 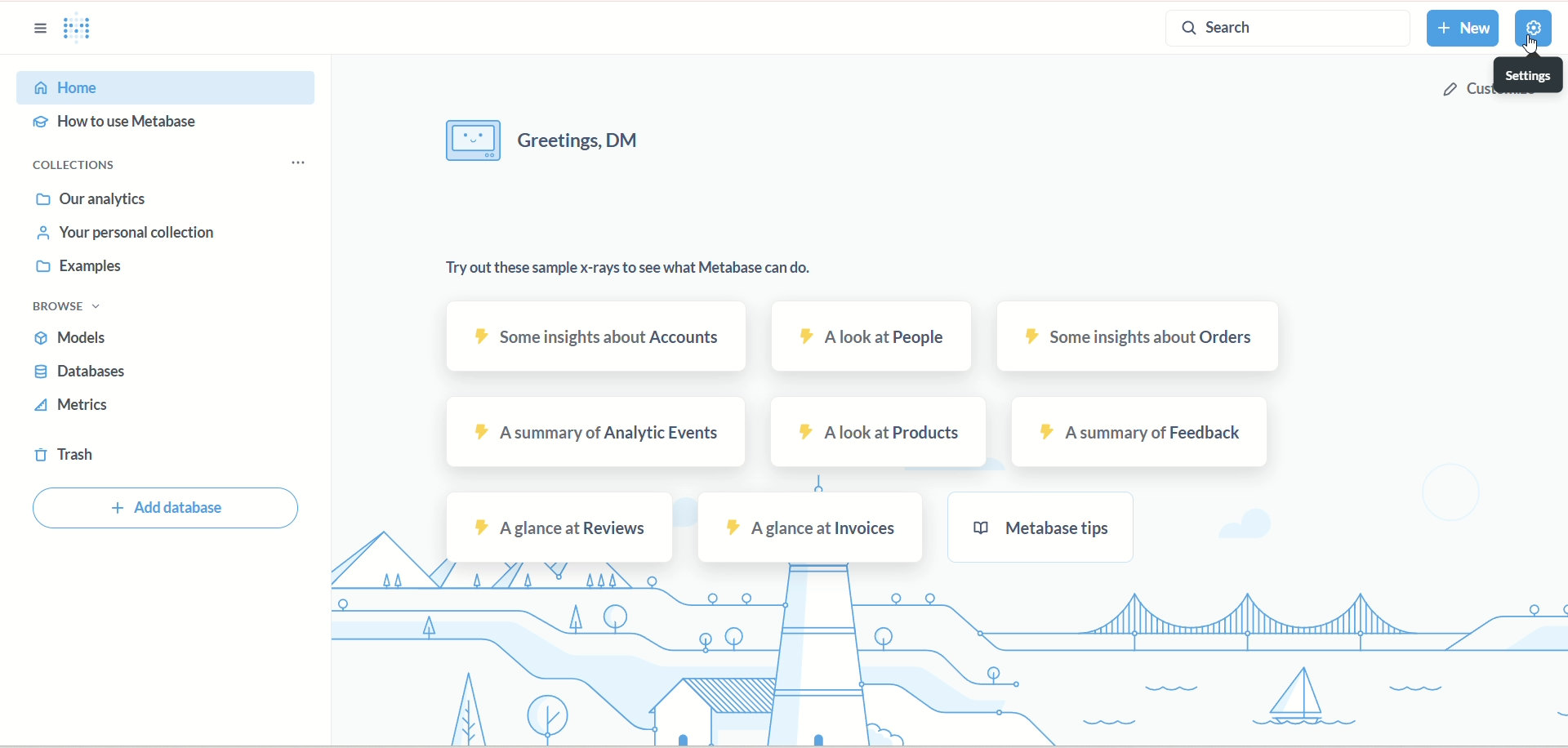 What do you see at coordinates (75, 166) in the screenshot?
I see `collections` at bounding box center [75, 166].